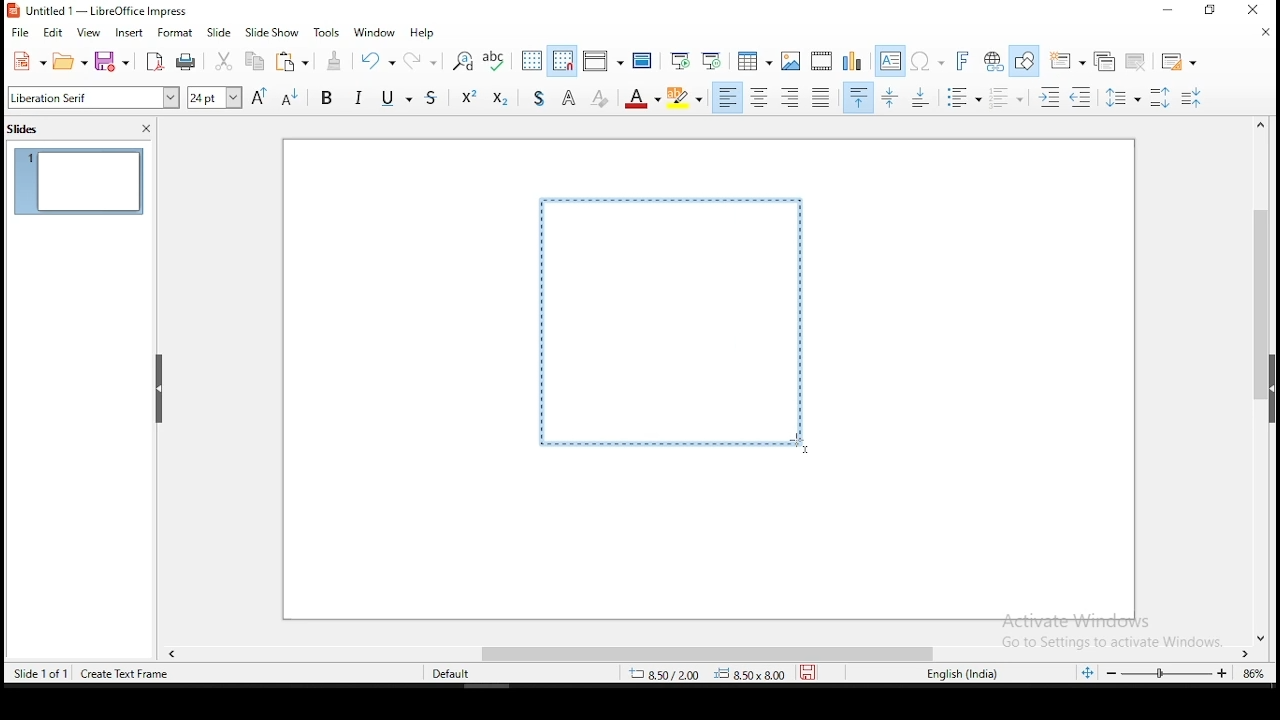 Image resolution: width=1280 pixels, height=720 pixels. Describe the element at coordinates (792, 61) in the screenshot. I see `insert image` at that location.